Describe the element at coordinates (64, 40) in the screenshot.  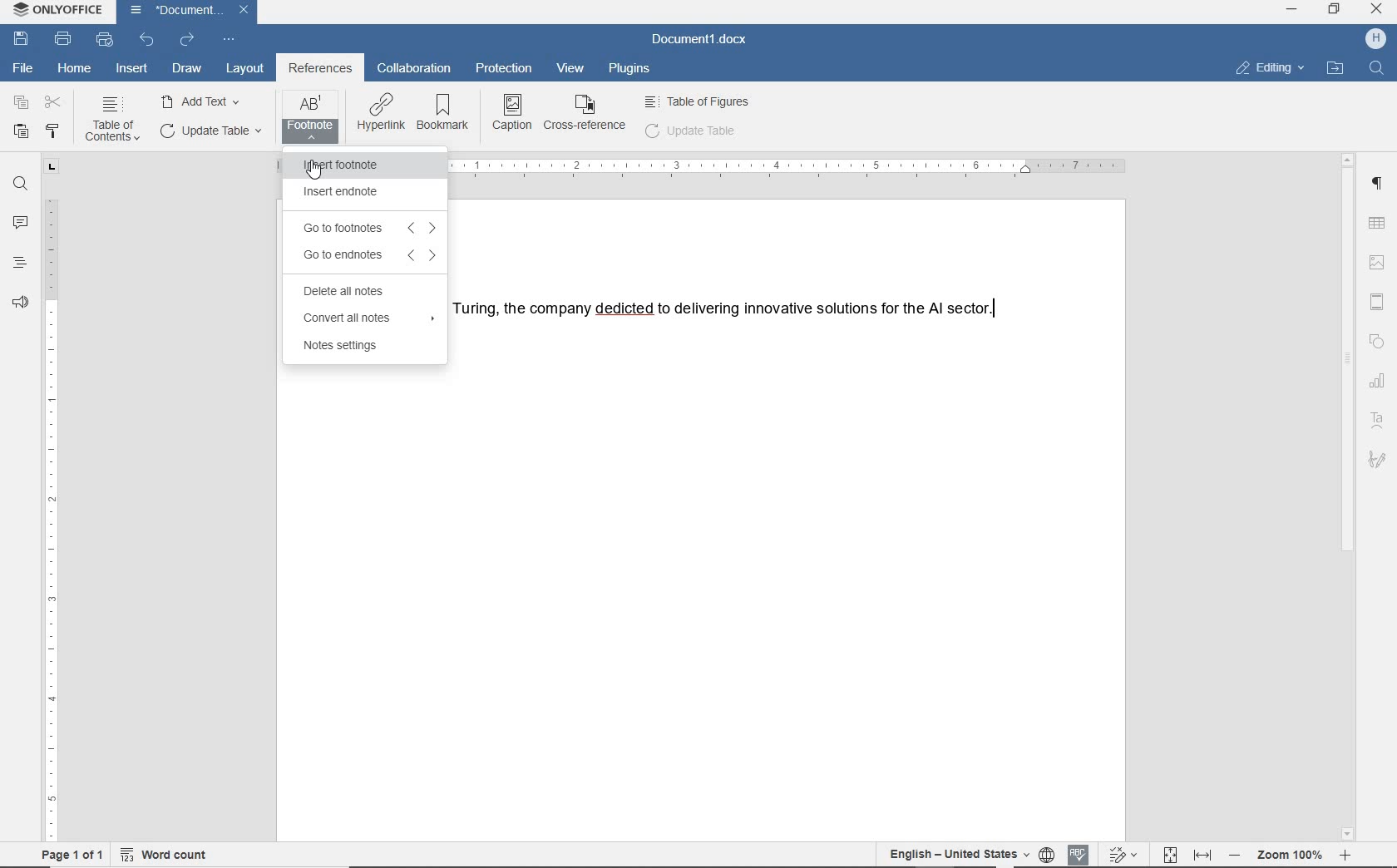
I see `print` at that location.